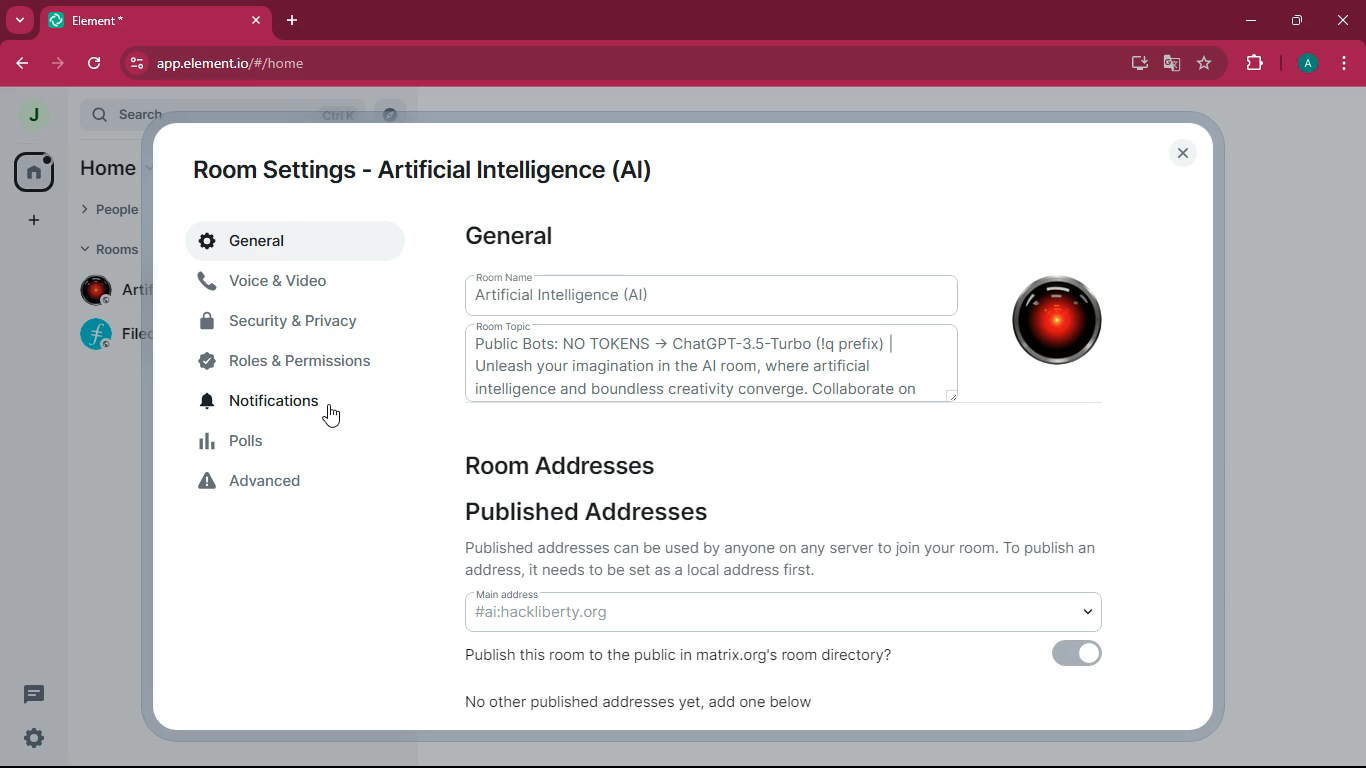 The height and width of the screenshot is (768, 1366). I want to click on group profile picture, so click(1048, 322).